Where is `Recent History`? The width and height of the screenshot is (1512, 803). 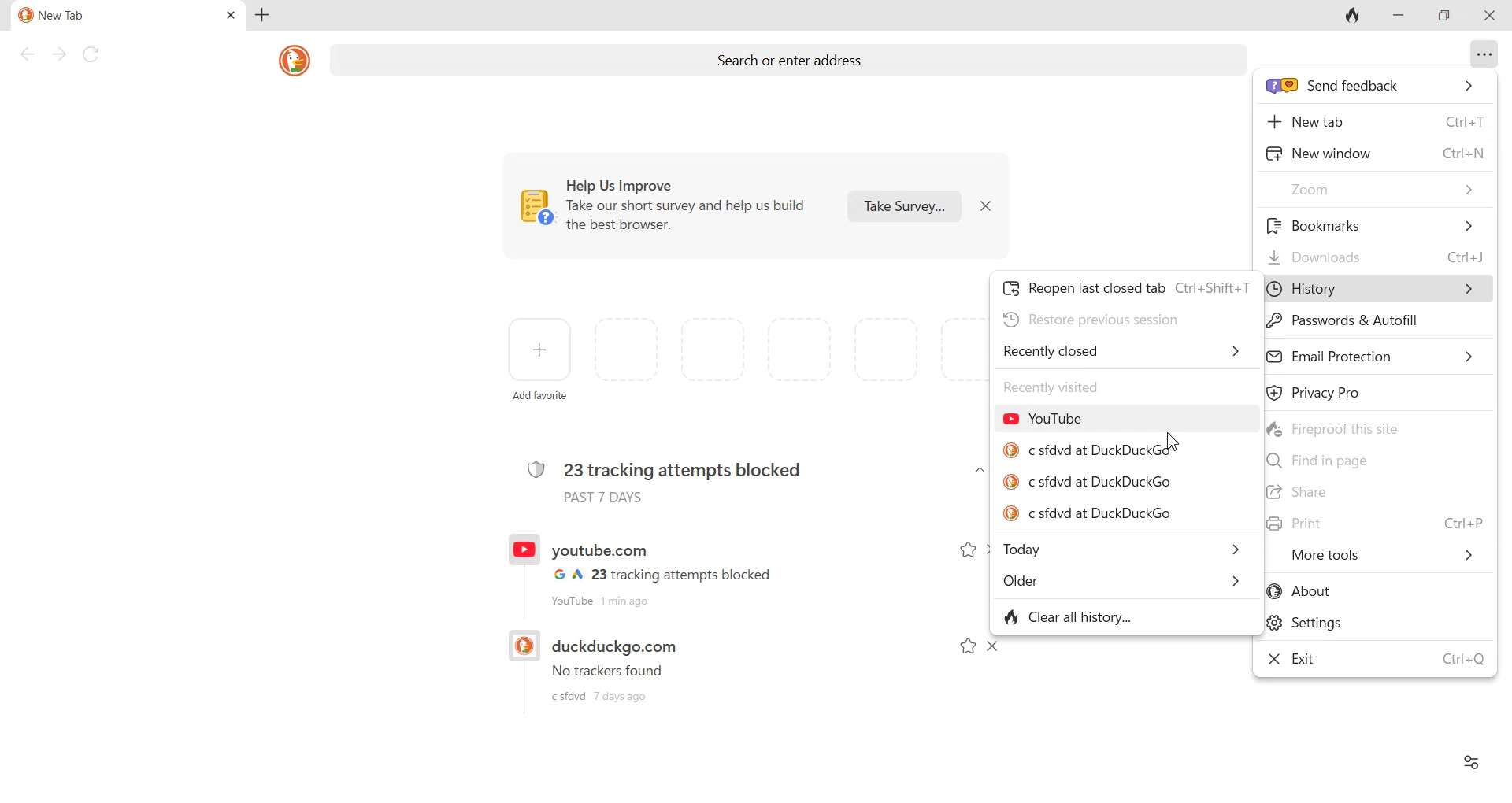 Recent History is located at coordinates (660, 570).